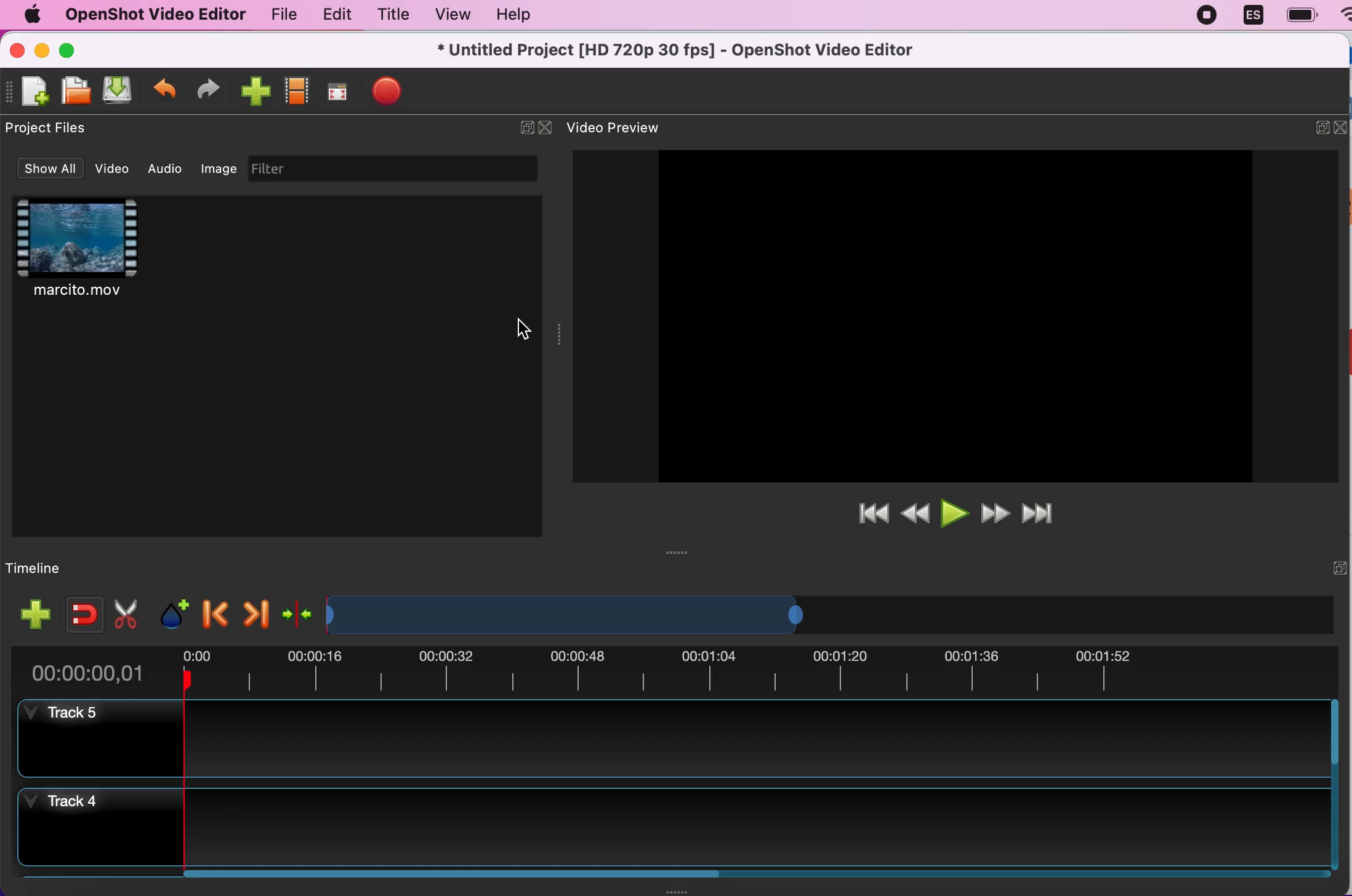 This screenshot has width=1352, height=896. Describe the element at coordinates (677, 740) in the screenshot. I see `track 5` at that location.